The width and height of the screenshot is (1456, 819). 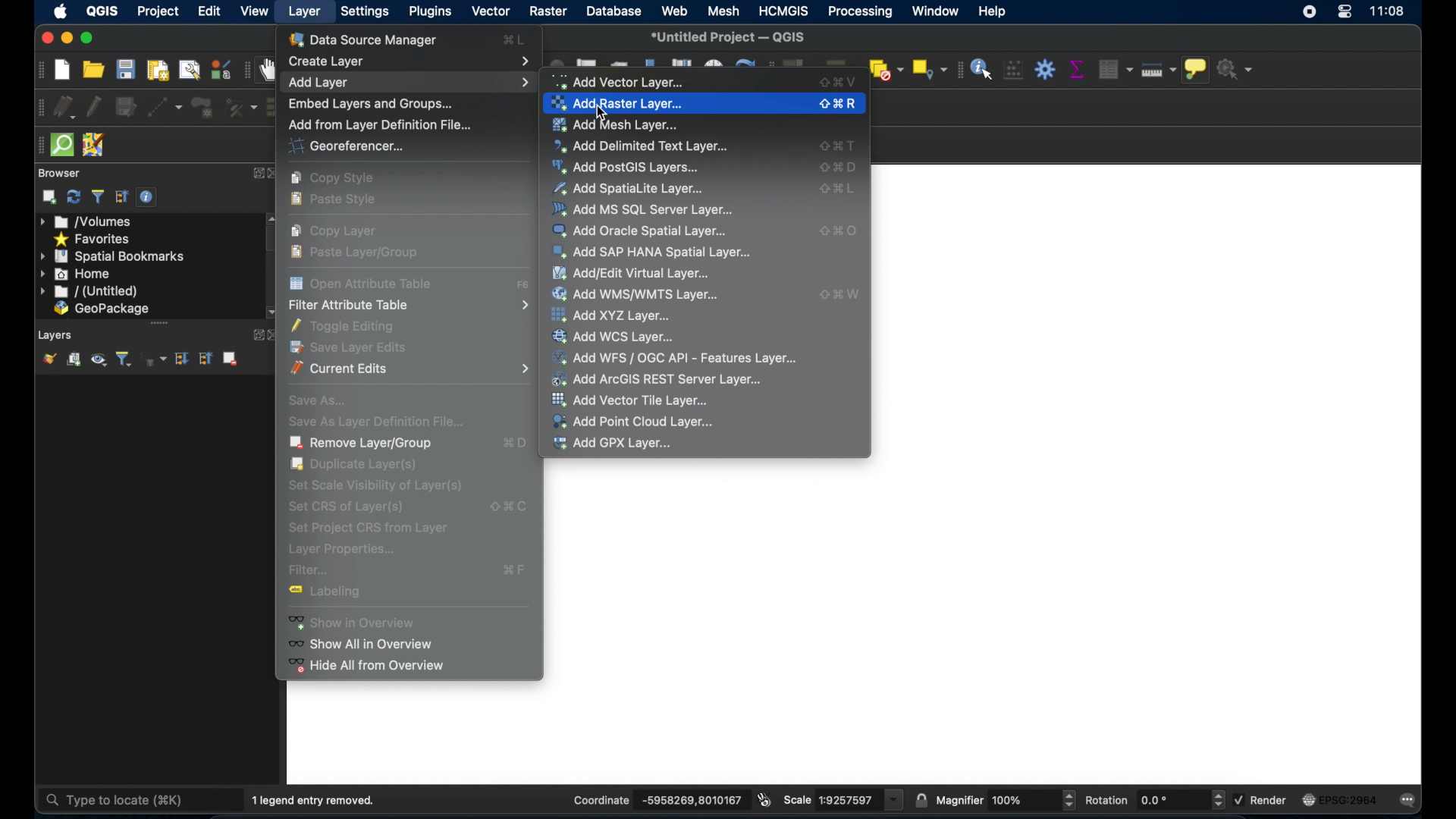 What do you see at coordinates (318, 398) in the screenshot?
I see `save as` at bounding box center [318, 398].